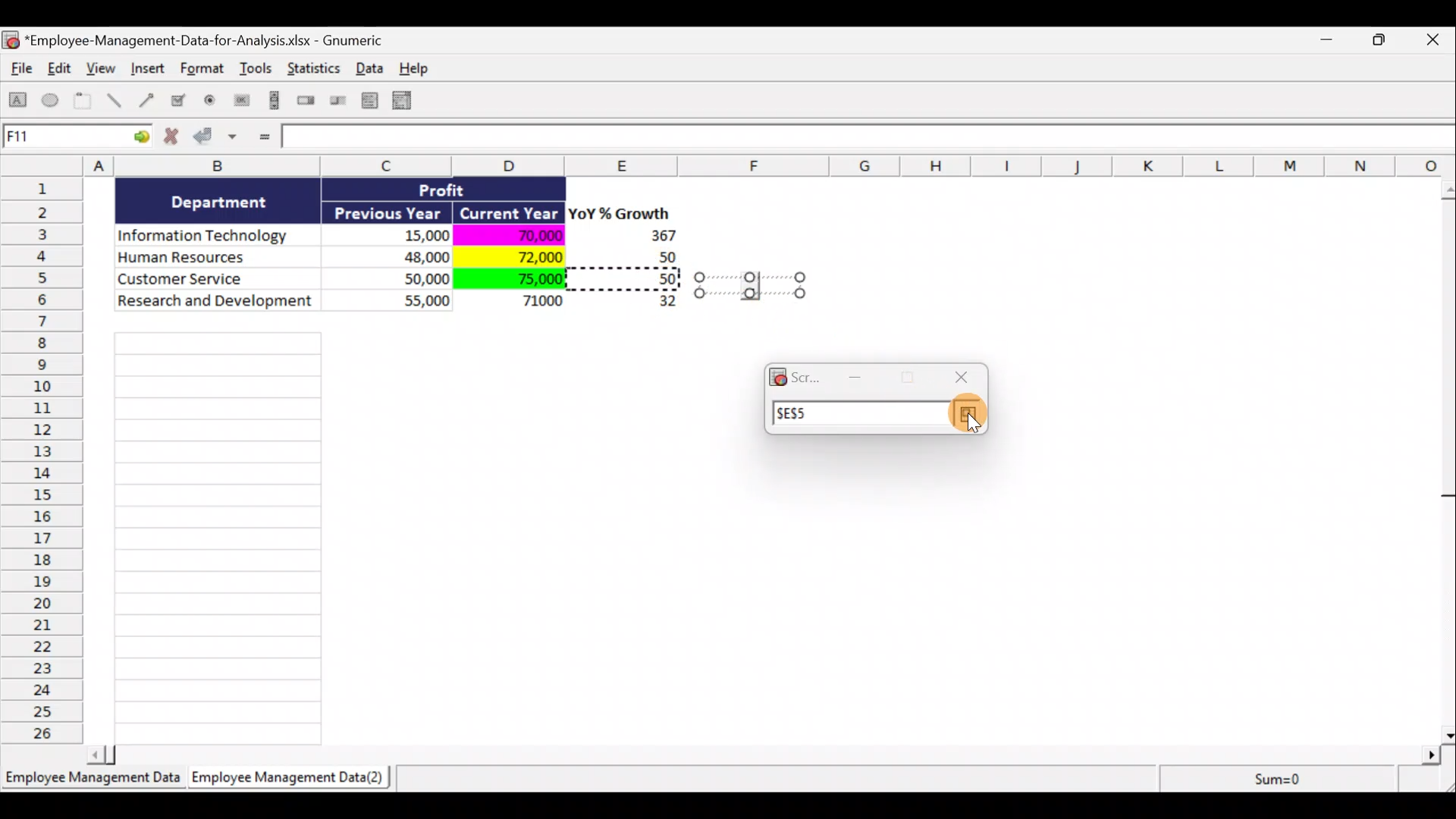  What do you see at coordinates (272, 103) in the screenshot?
I see `Create a scrollbar` at bounding box center [272, 103].